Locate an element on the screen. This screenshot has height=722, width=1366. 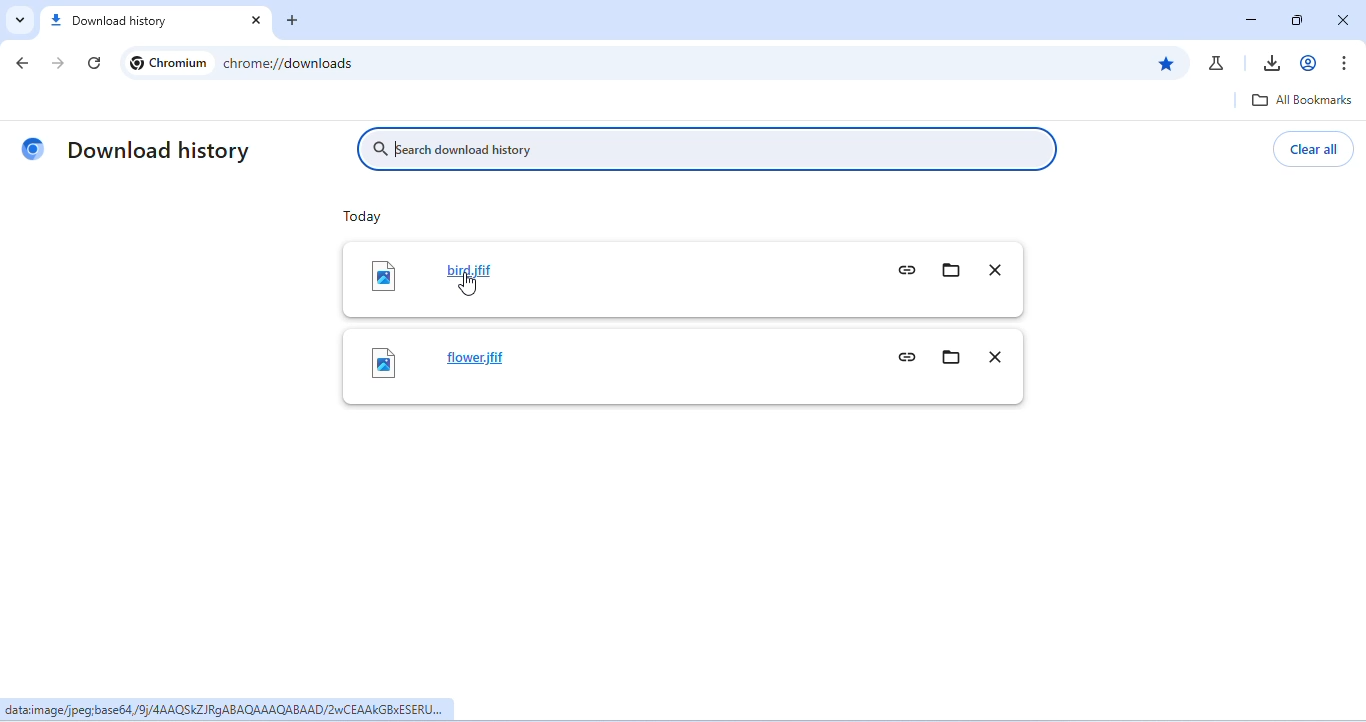
close is located at coordinates (1342, 21).